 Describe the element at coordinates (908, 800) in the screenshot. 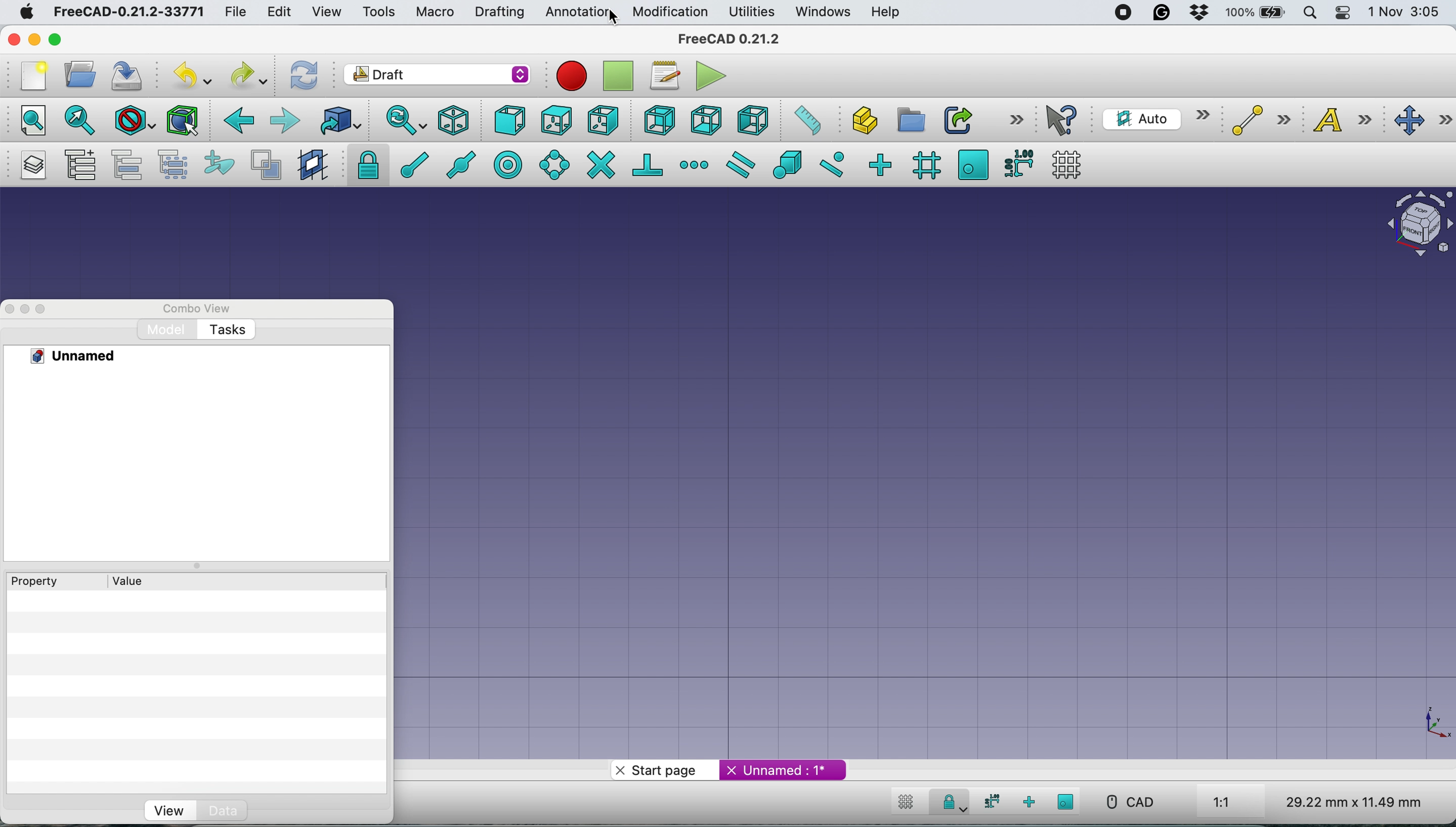

I see `toggle grid` at that location.